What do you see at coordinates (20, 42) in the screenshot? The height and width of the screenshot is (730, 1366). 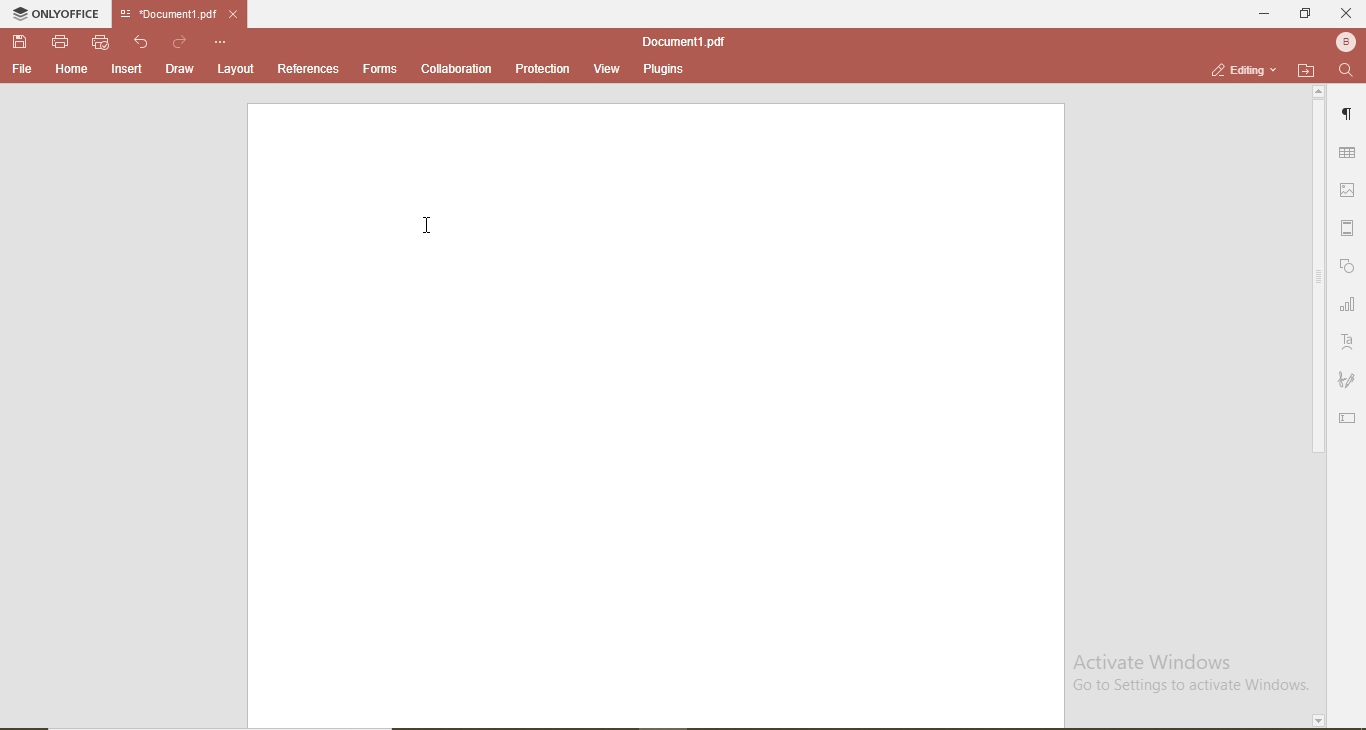 I see `save` at bounding box center [20, 42].